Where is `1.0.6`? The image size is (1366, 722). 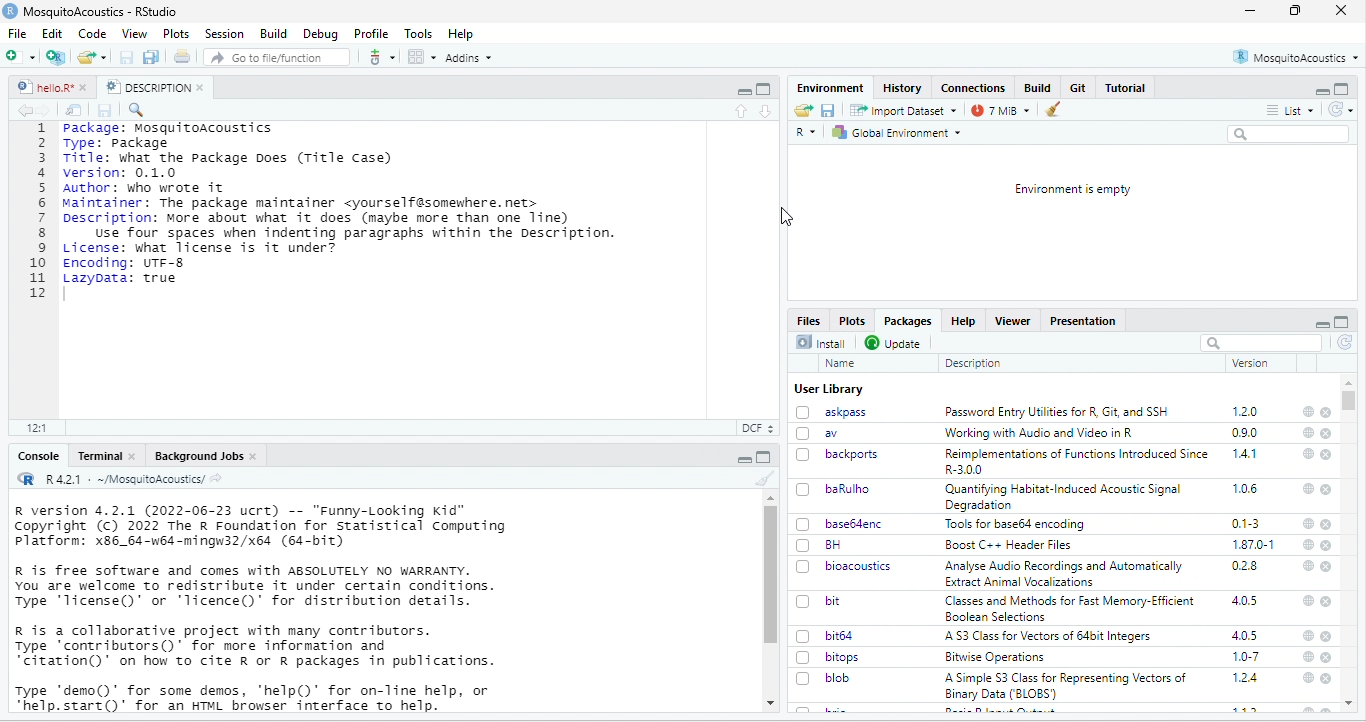
1.0.6 is located at coordinates (1244, 488).